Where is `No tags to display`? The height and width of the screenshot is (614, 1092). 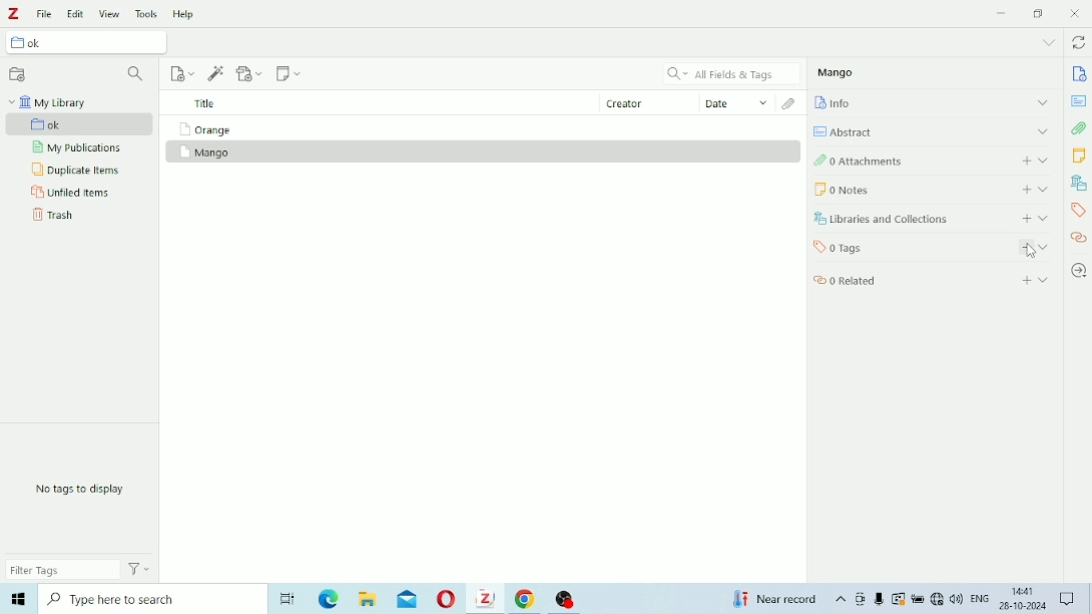 No tags to display is located at coordinates (83, 490).